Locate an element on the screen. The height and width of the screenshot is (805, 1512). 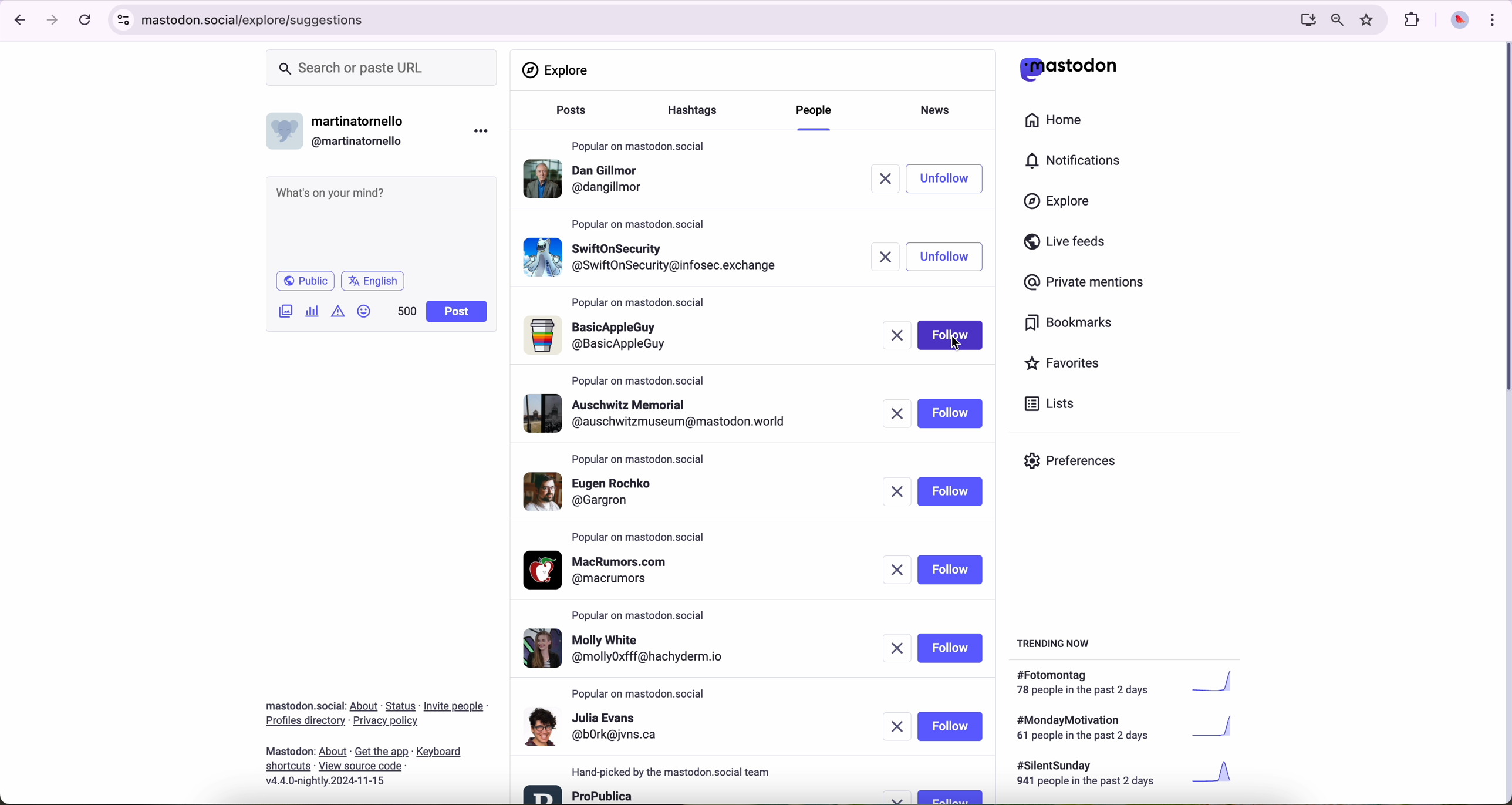
bookmarks is located at coordinates (1069, 325).